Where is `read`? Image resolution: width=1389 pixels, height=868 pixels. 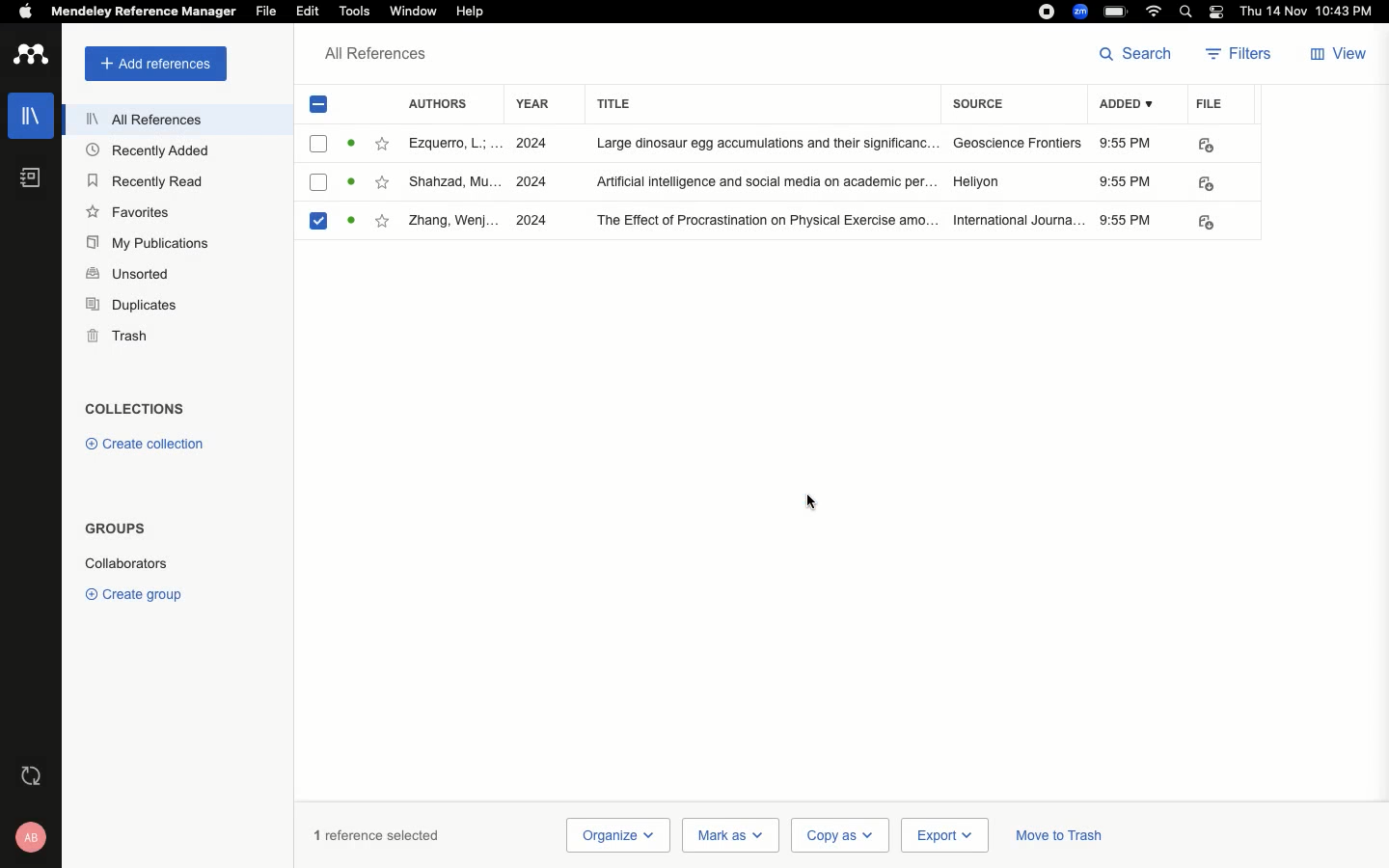 read is located at coordinates (356, 220).